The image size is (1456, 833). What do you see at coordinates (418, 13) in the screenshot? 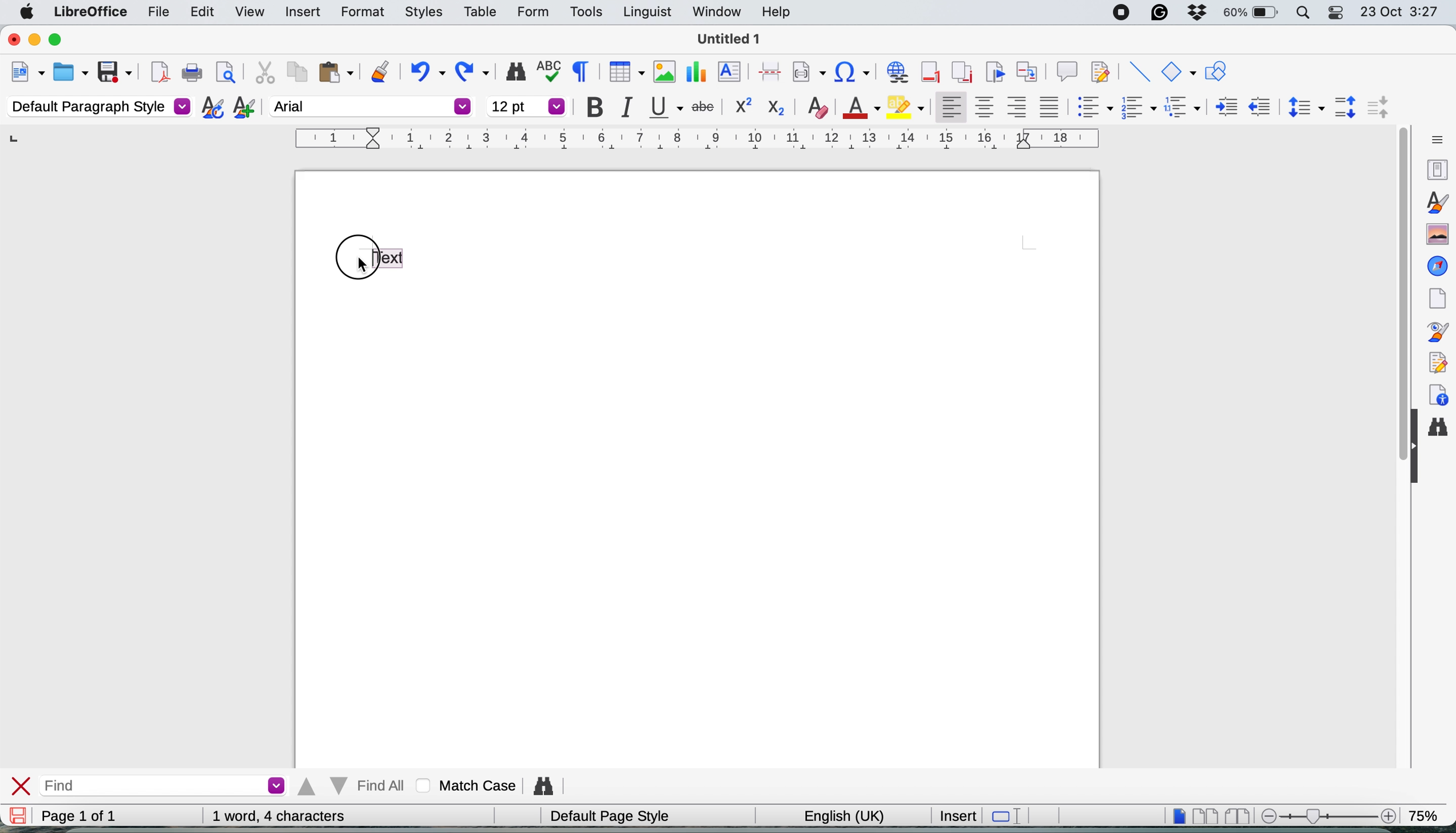
I see `styles` at bounding box center [418, 13].